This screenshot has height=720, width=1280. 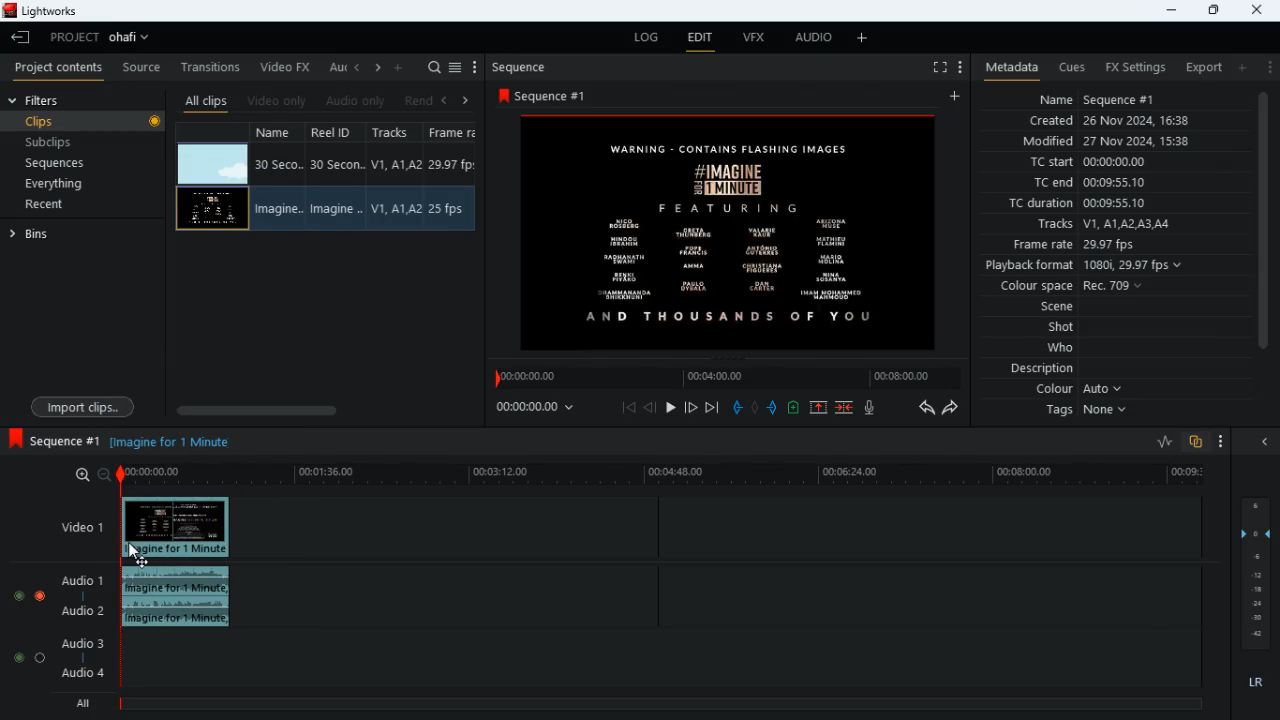 What do you see at coordinates (1075, 203) in the screenshot?
I see `tc duration` at bounding box center [1075, 203].